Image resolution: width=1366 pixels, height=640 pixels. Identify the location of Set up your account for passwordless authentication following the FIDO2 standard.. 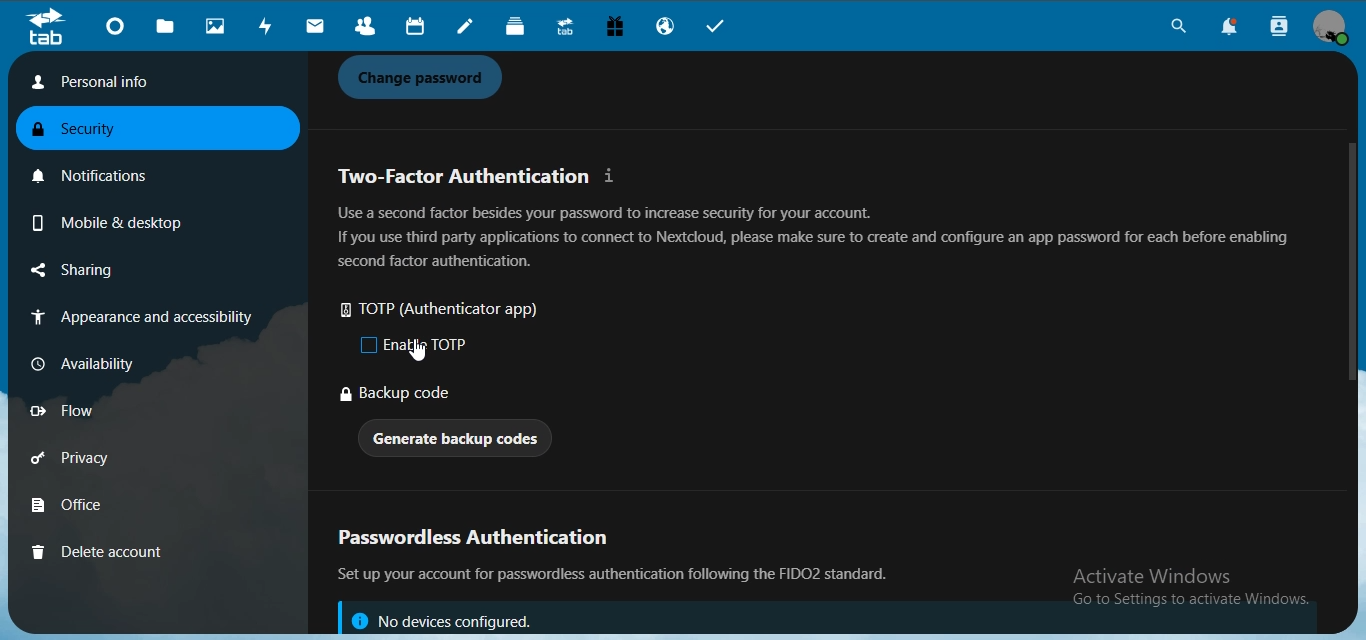
(621, 575).